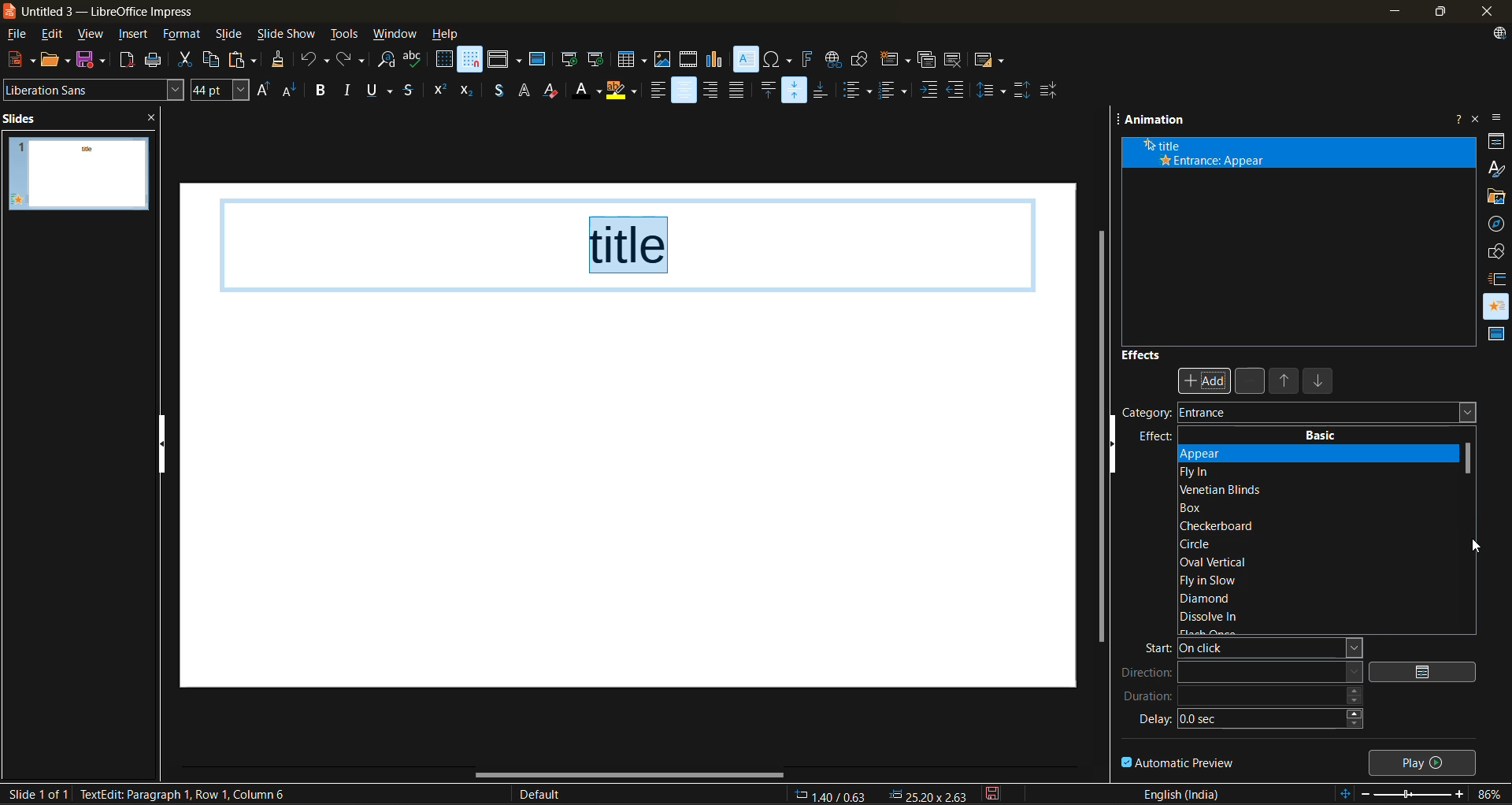 This screenshot has width=1512, height=805. Describe the element at coordinates (193, 794) in the screenshot. I see `metadata` at that location.